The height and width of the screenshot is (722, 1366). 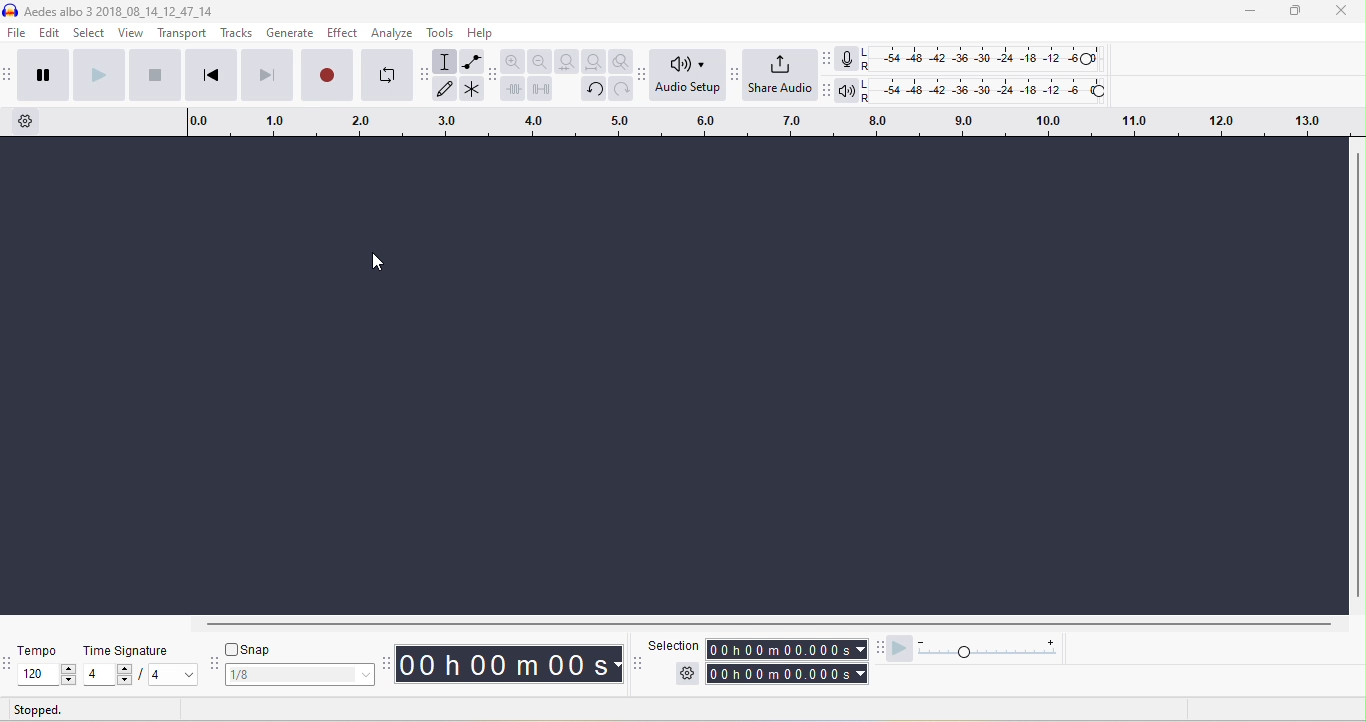 What do you see at coordinates (637, 662) in the screenshot?
I see `selection toolbar` at bounding box center [637, 662].